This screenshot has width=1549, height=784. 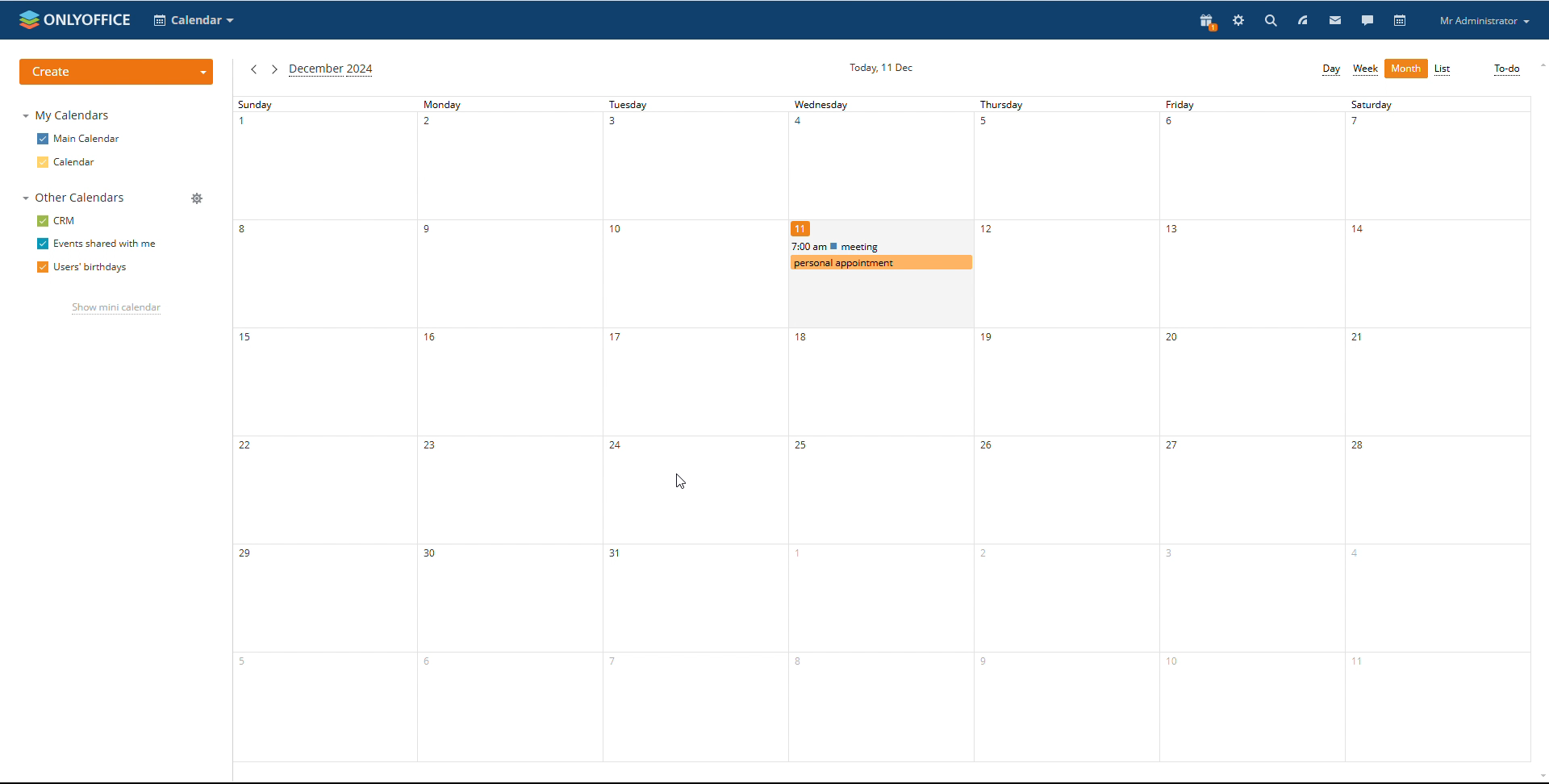 I want to click on monday, so click(x=509, y=429).